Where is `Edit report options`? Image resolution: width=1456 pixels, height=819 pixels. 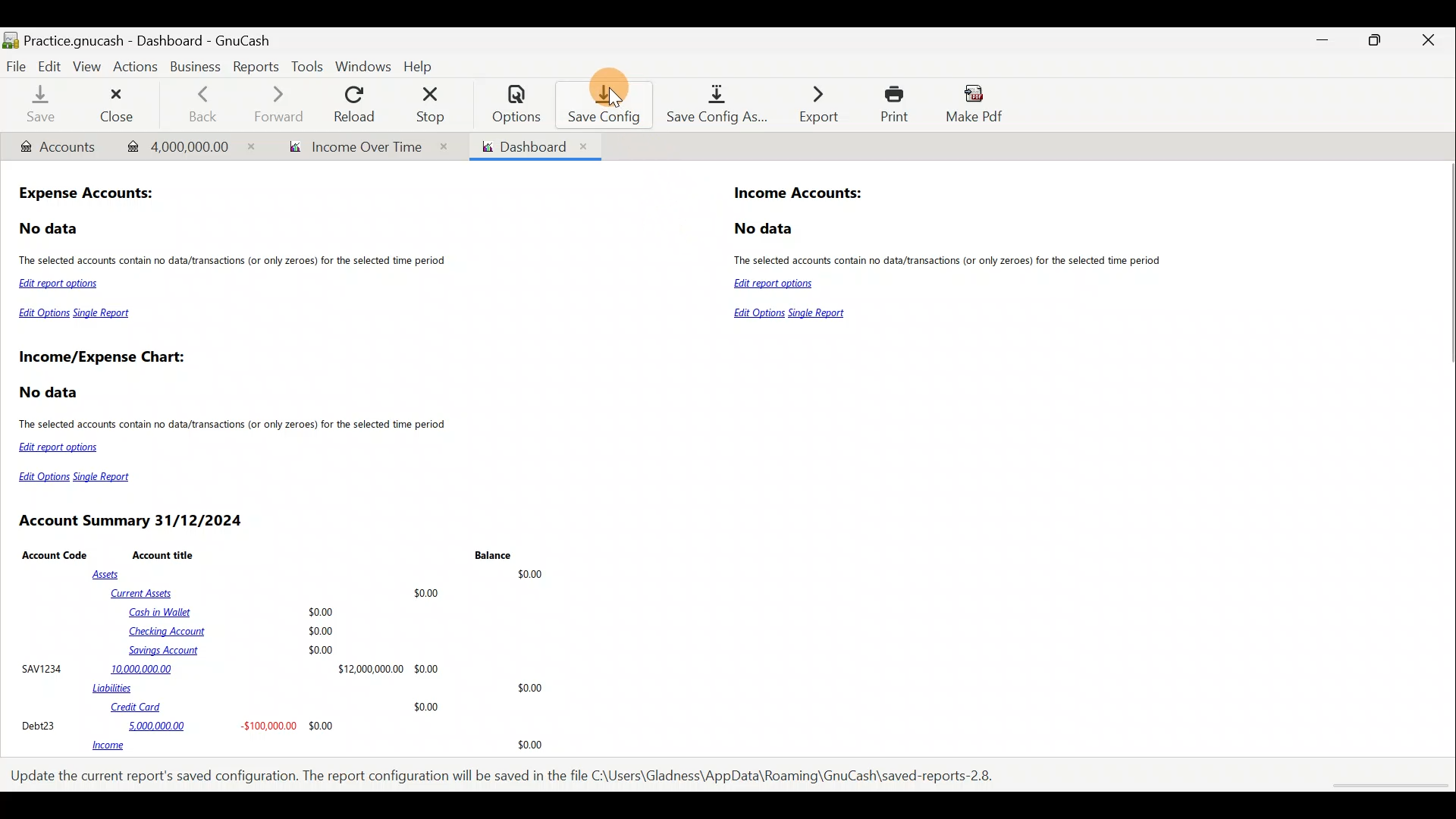 Edit report options is located at coordinates (777, 284).